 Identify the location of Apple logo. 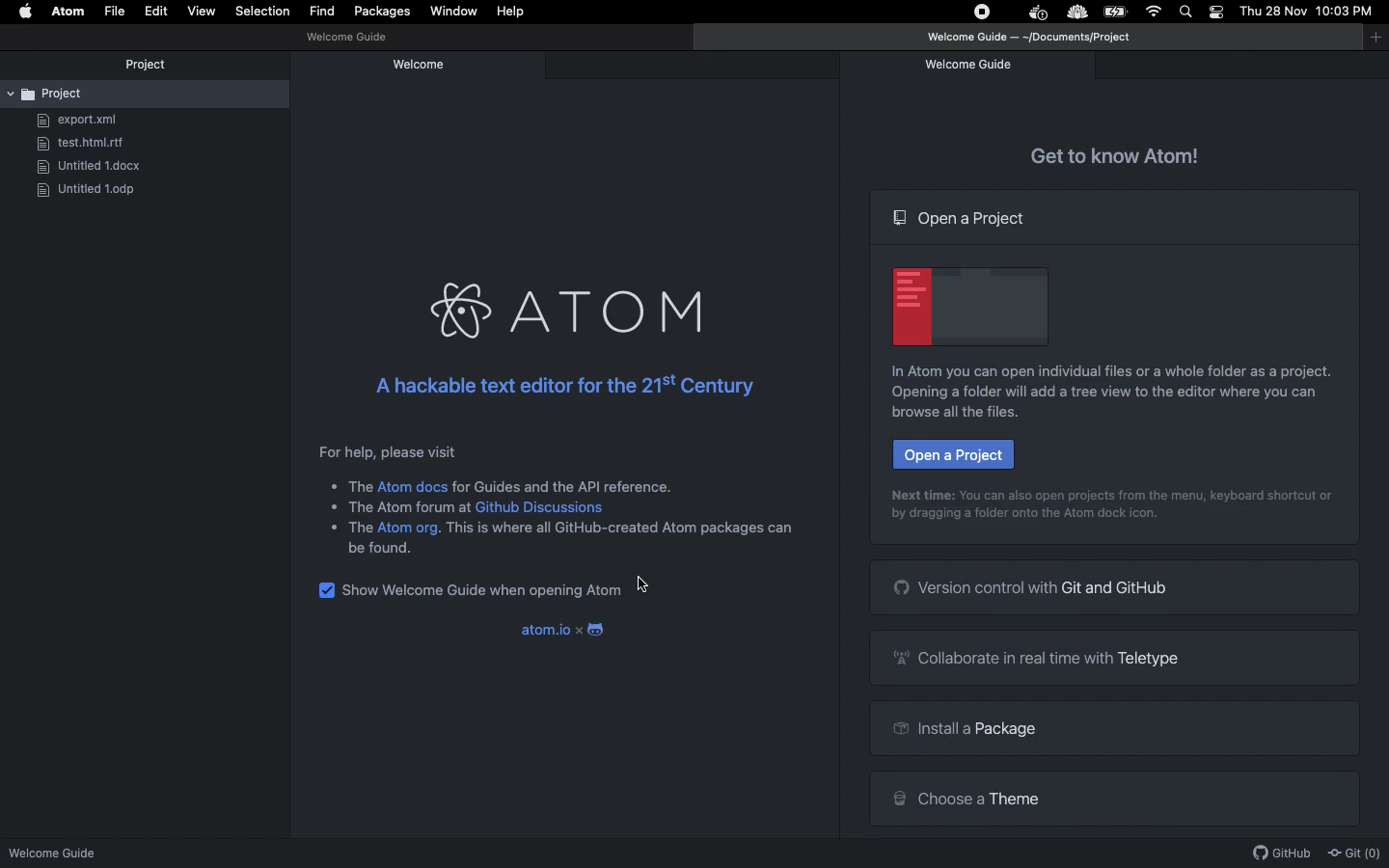
(26, 10).